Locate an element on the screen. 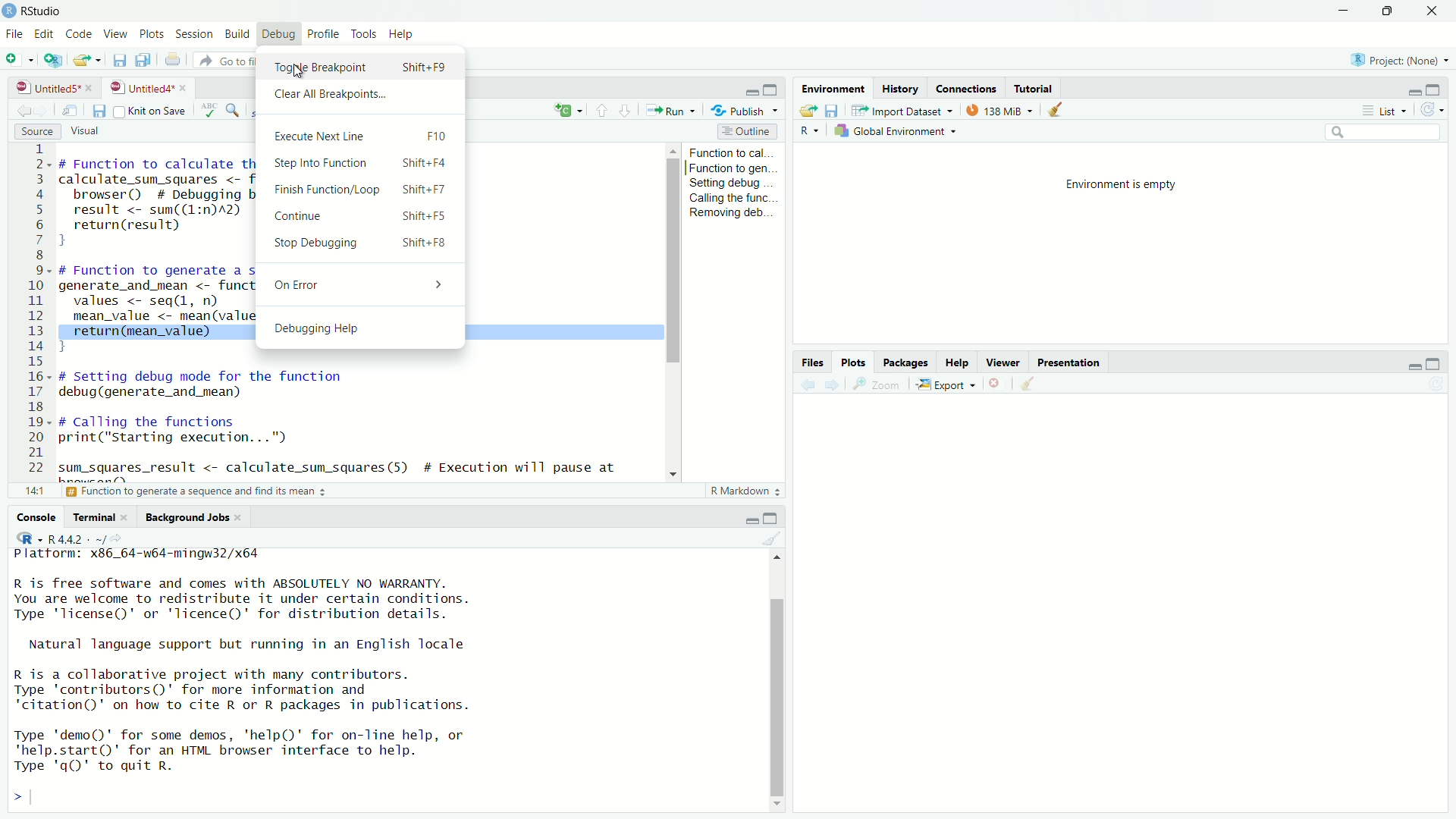 The width and height of the screenshot is (1456, 819). search field is located at coordinates (1382, 133).